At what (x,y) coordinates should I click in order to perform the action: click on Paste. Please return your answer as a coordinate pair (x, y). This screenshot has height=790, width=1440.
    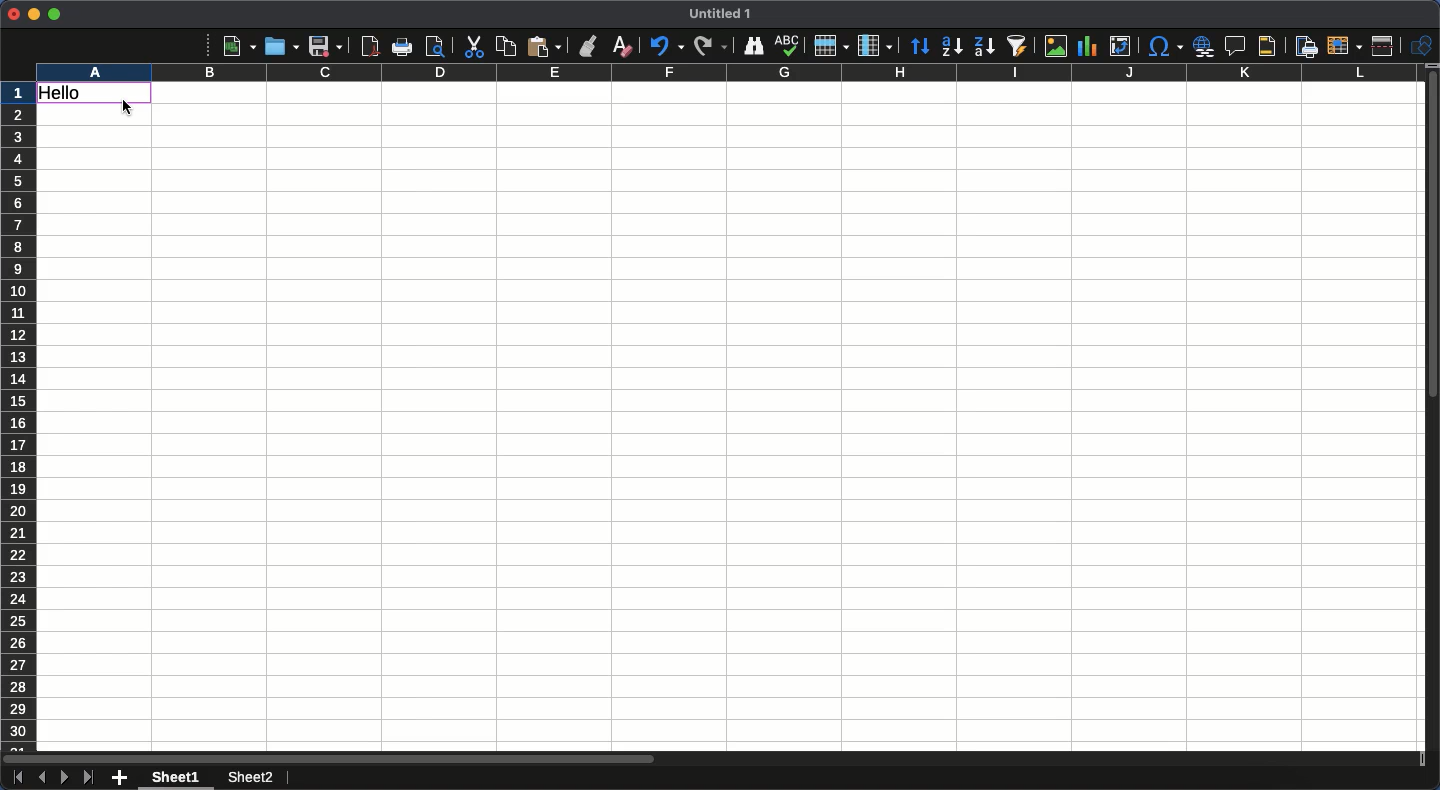
    Looking at the image, I should click on (544, 46).